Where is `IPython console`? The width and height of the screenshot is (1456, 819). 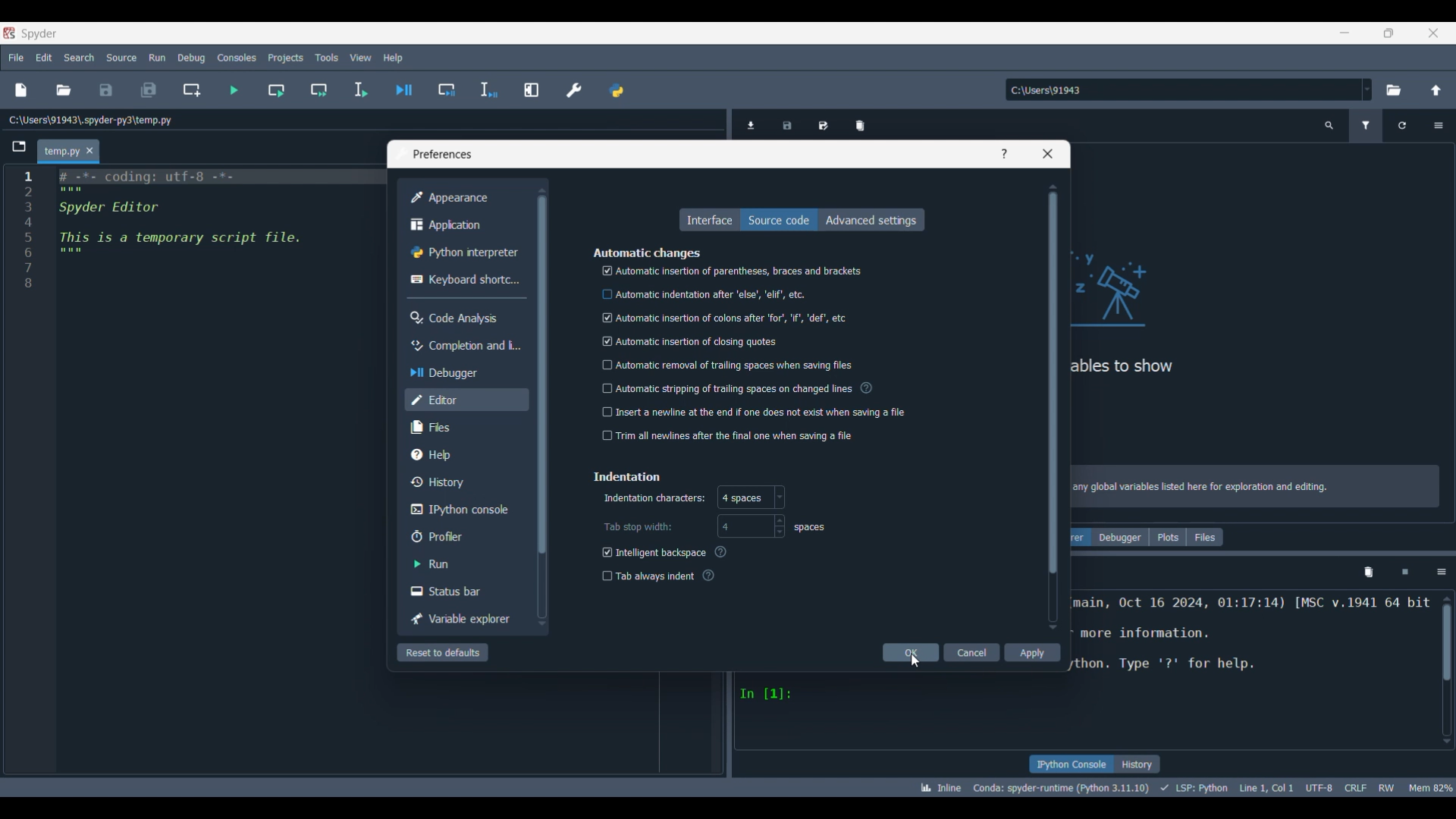
IPython console is located at coordinates (1072, 764).